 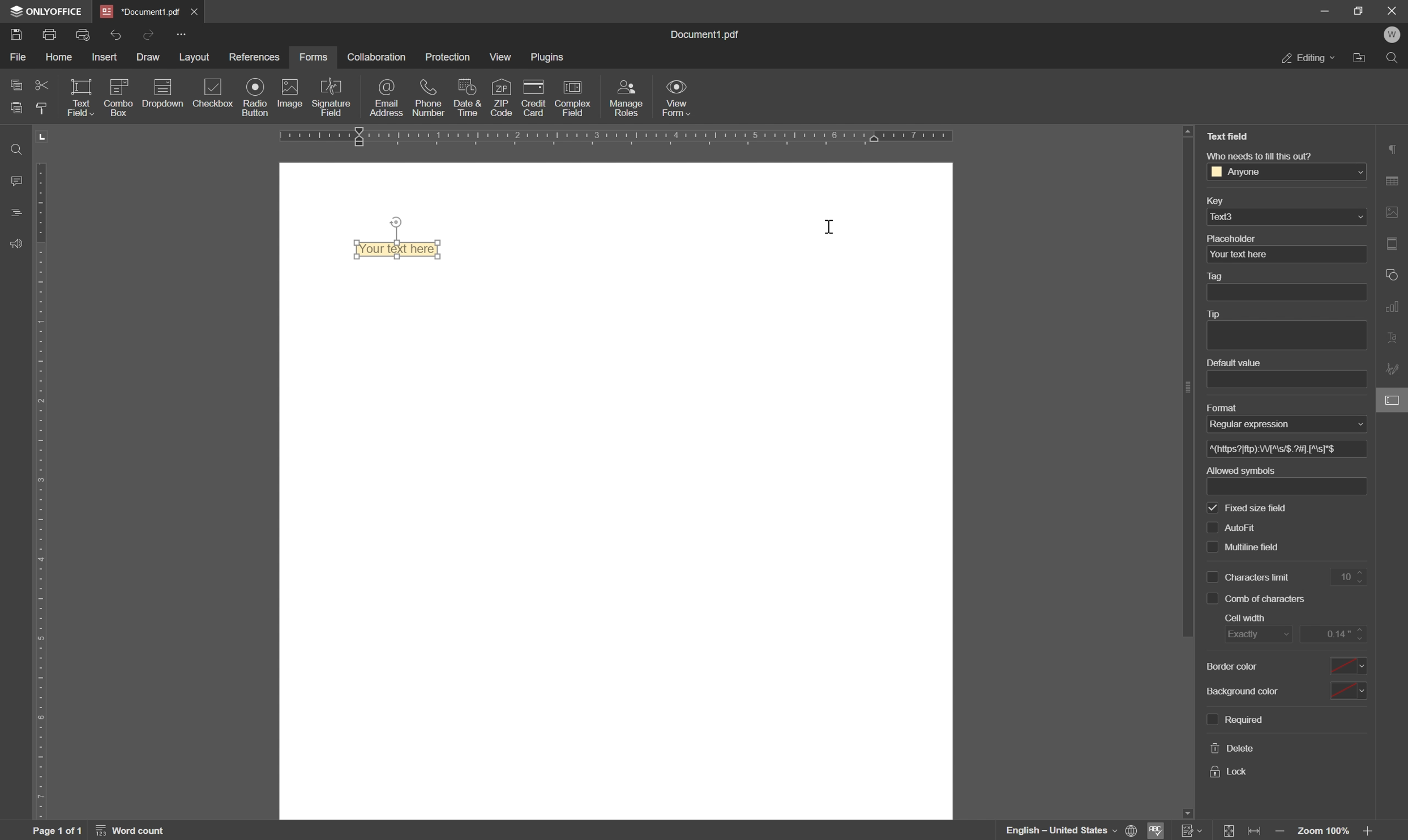 What do you see at coordinates (88, 35) in the screenshot?
I see `quick print` at bounding box center [88, 35].